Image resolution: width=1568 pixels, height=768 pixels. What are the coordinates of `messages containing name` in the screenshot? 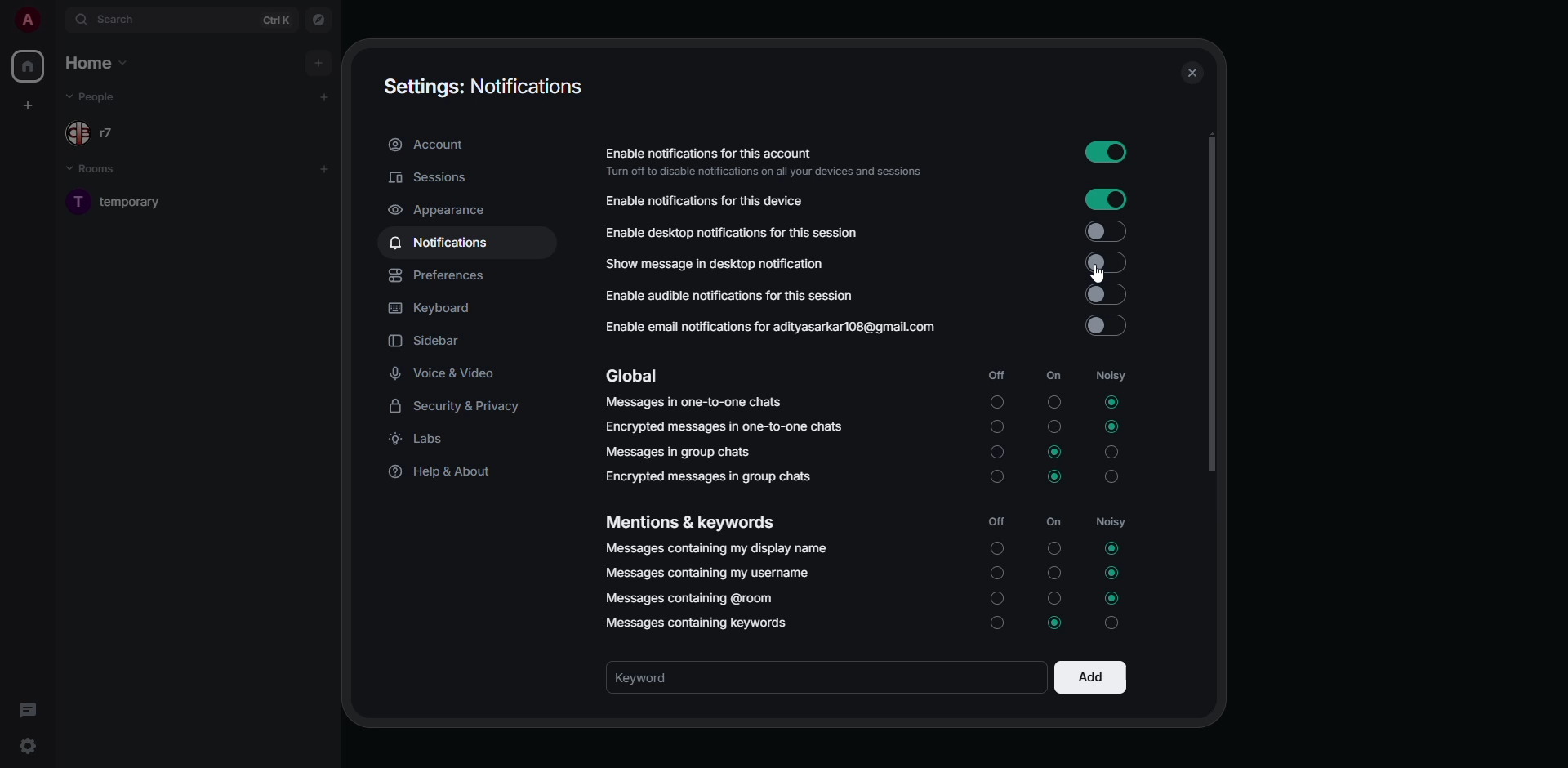 It's located at (719, 548).